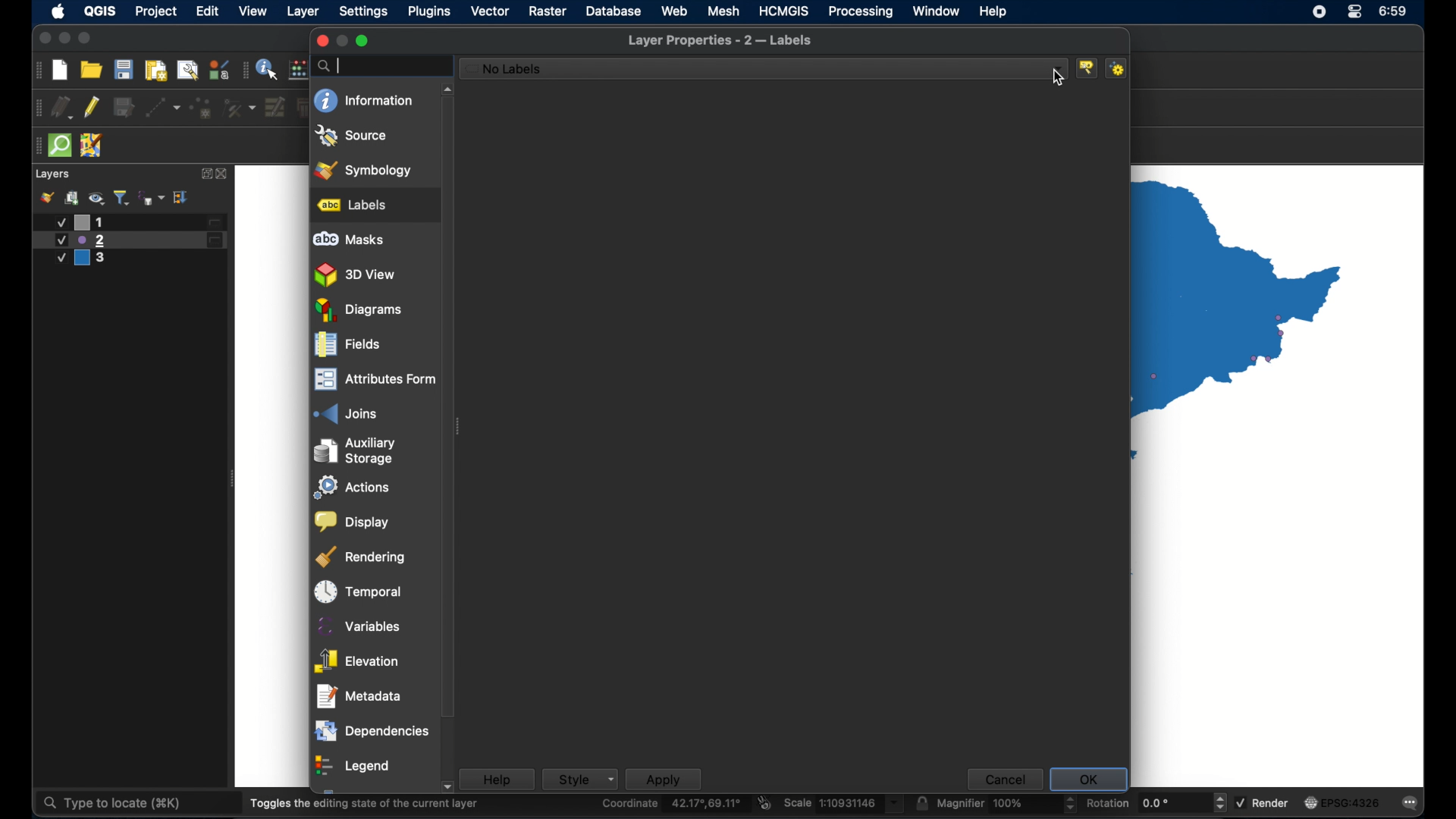  What do you see at coordinates (354, 488) in the screenshot?
I see `actions` at bounding box center [354, 488].